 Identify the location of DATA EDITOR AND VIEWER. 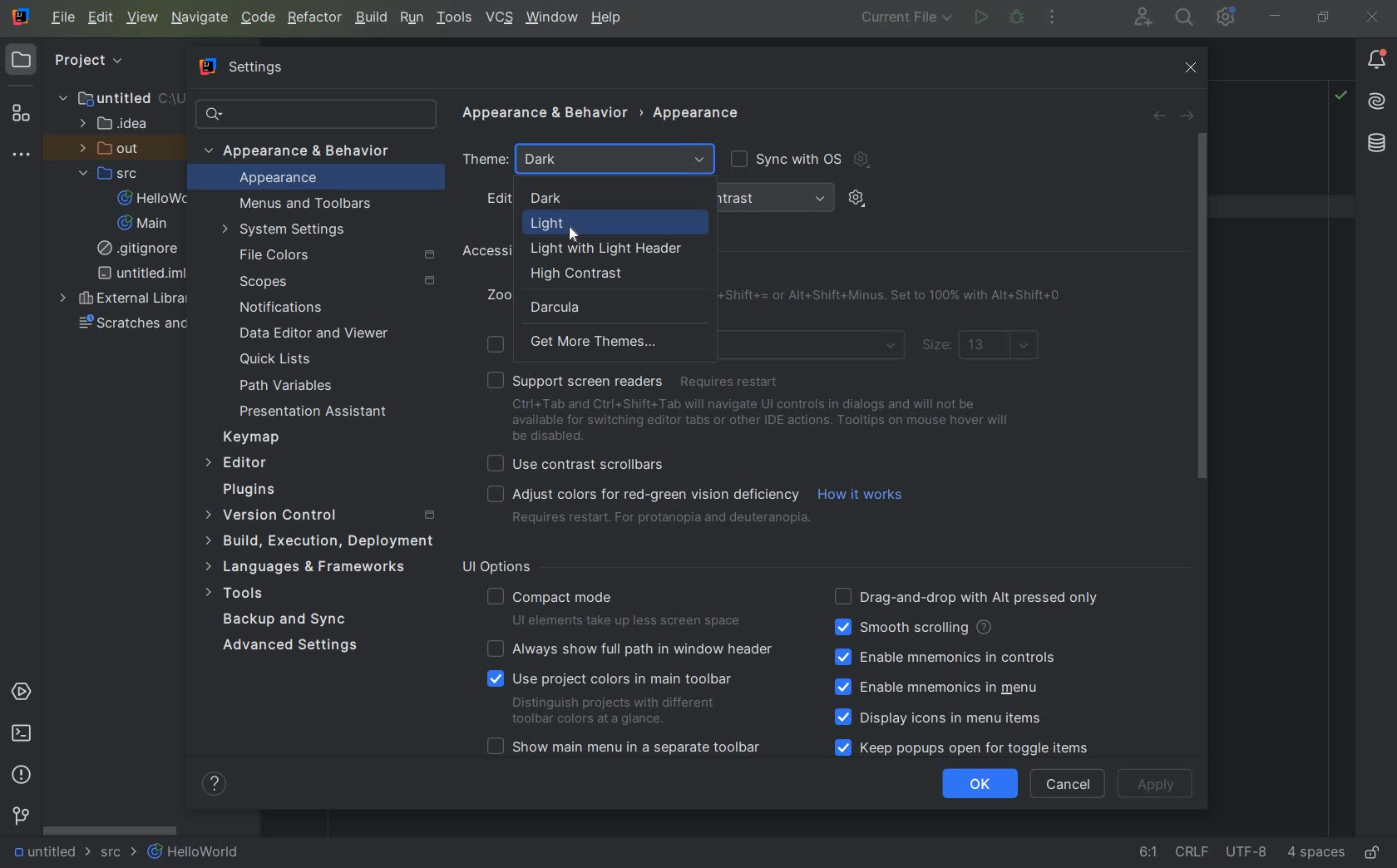
(313, 333).